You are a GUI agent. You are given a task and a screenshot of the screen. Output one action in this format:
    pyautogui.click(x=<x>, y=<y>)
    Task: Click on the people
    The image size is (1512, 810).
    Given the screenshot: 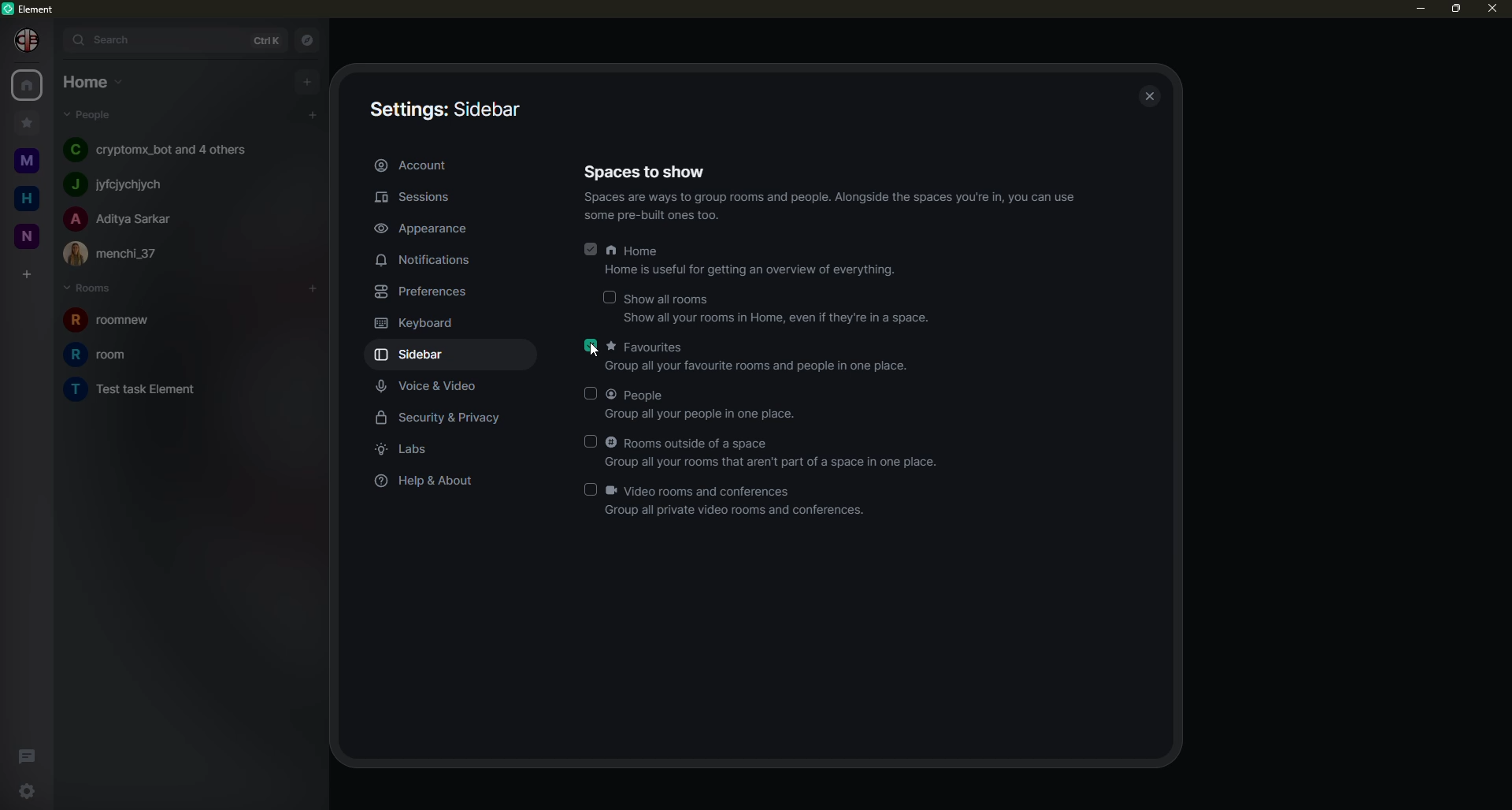 What is the action you would take?
    pyautogui.click(x=88, y=116)
    